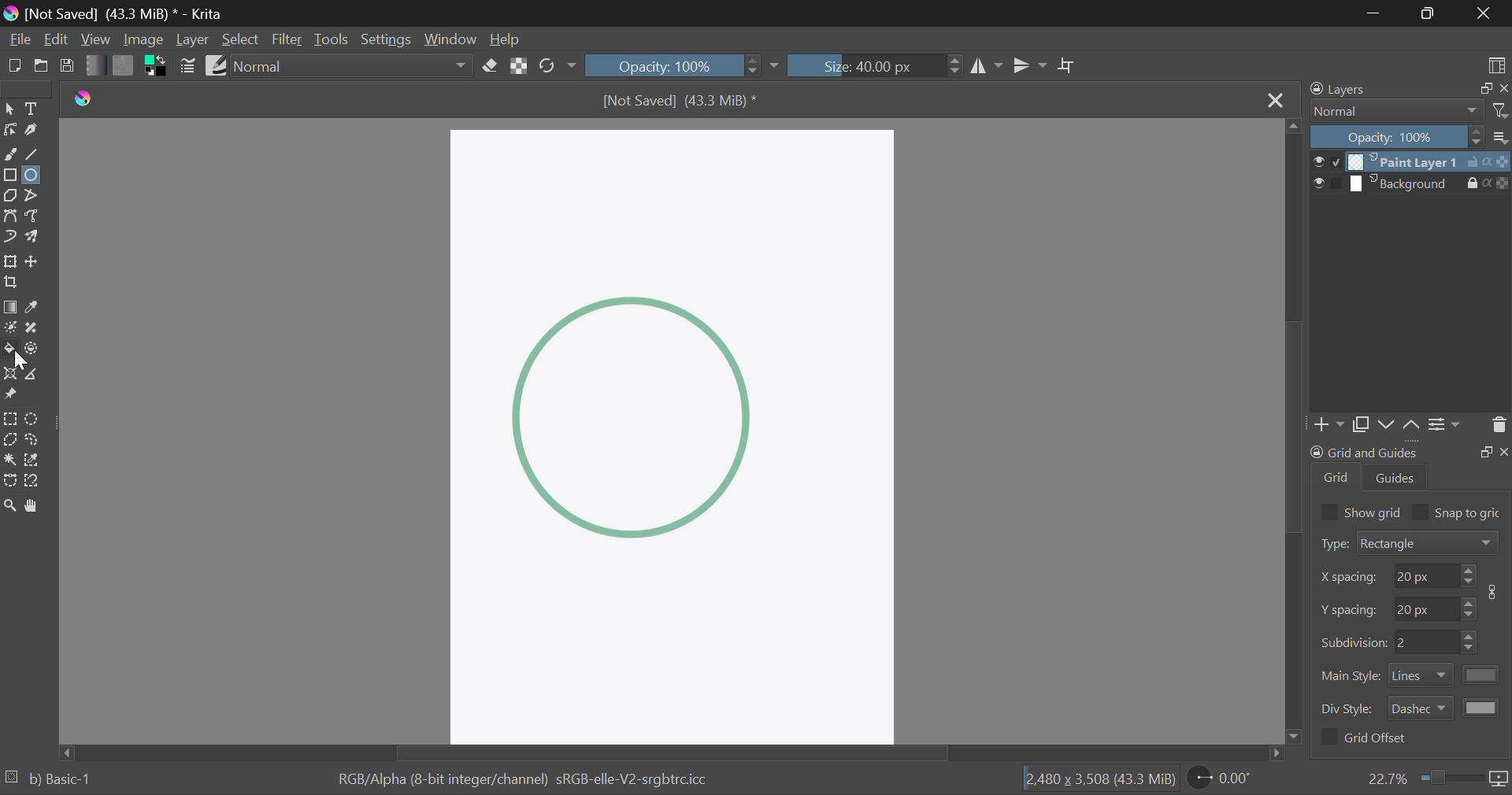  Describe the element at coordinates (10, 374) in the screenshot. I see `Assistant Tool` at that location.